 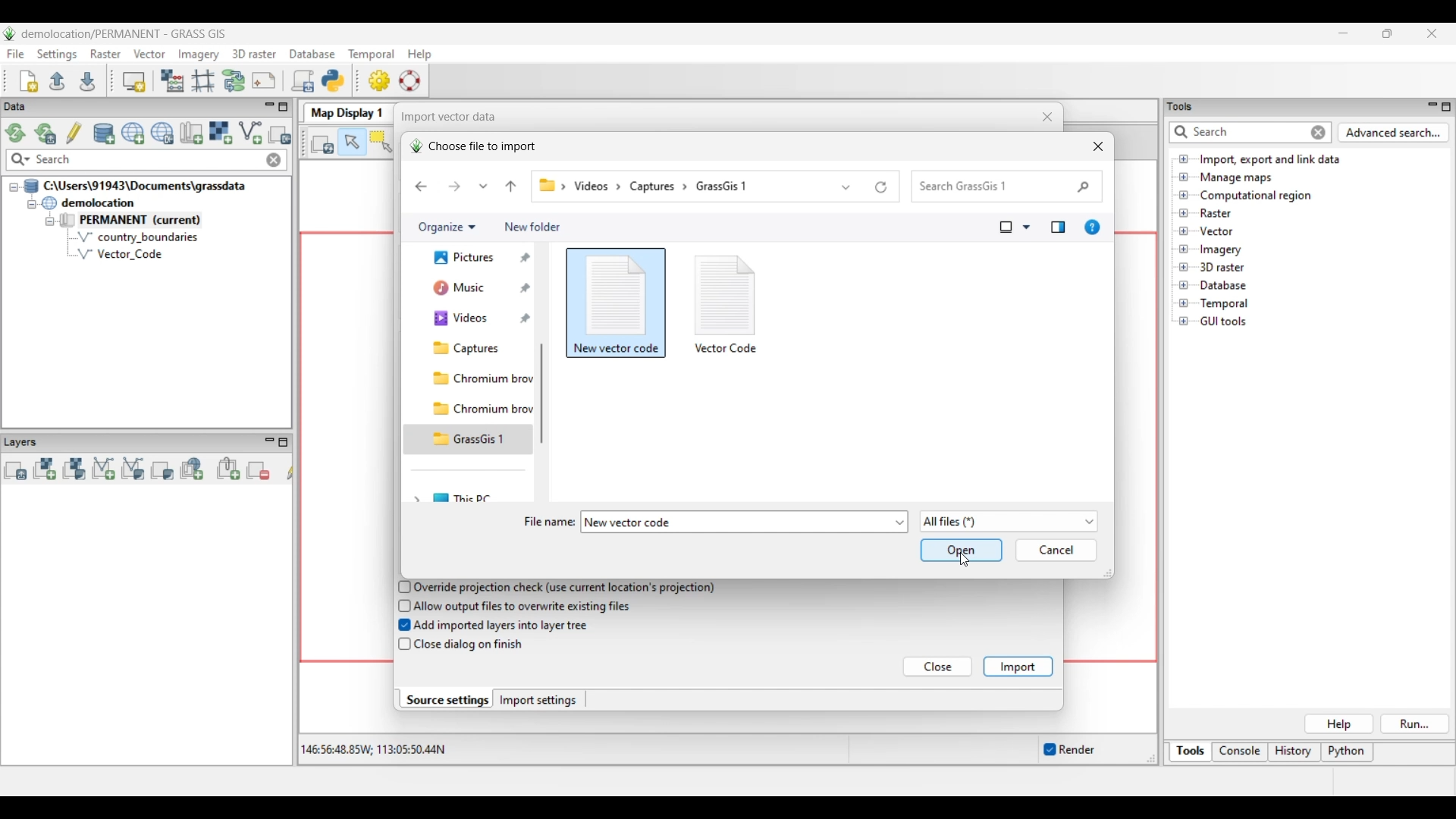 What do you see at coordinates (1431, 33) in the screenshot?
I see `Close interface` at bounding box center [1431, 33].